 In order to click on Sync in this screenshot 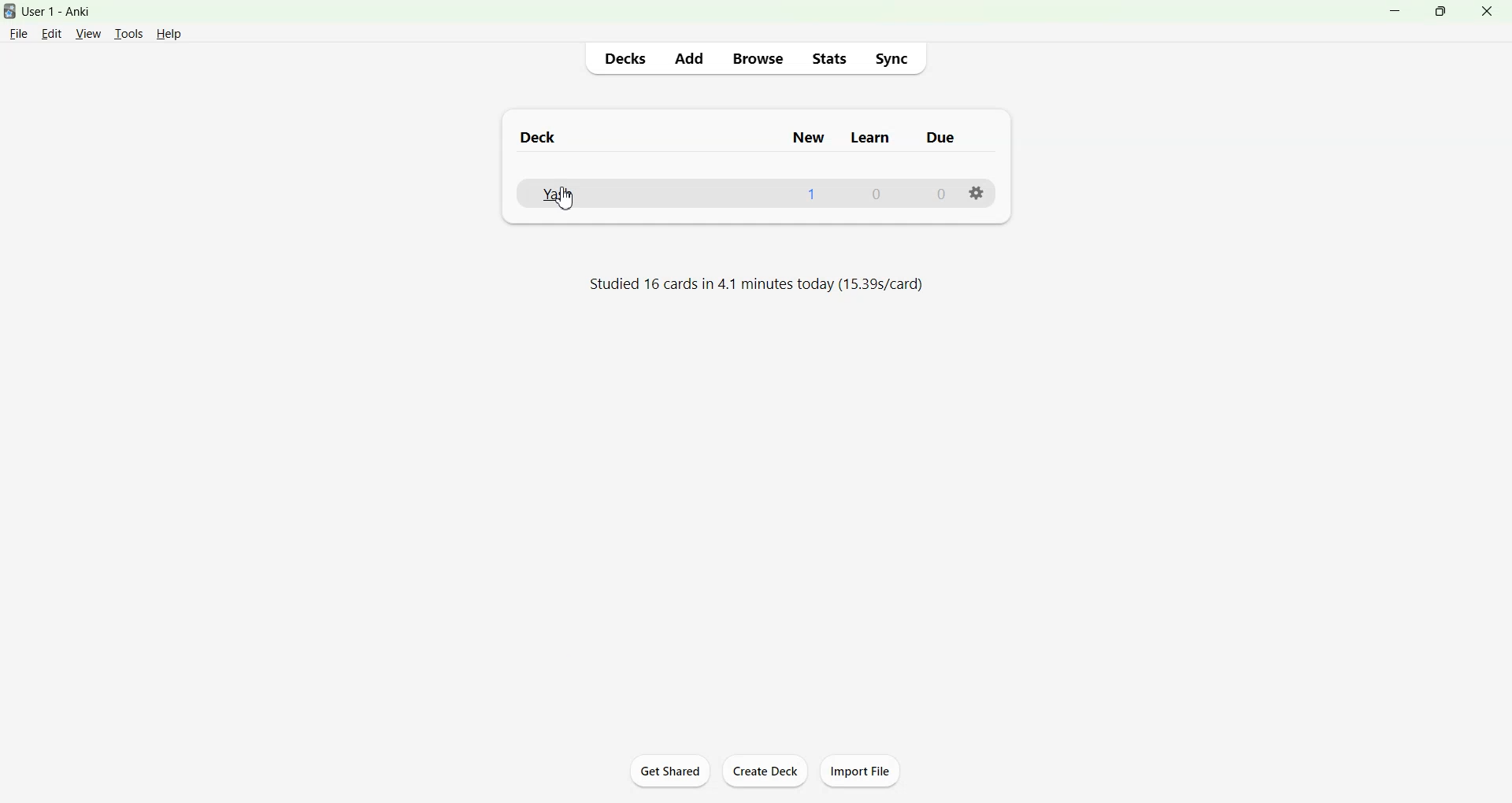, I will do `click(891, 58)`.